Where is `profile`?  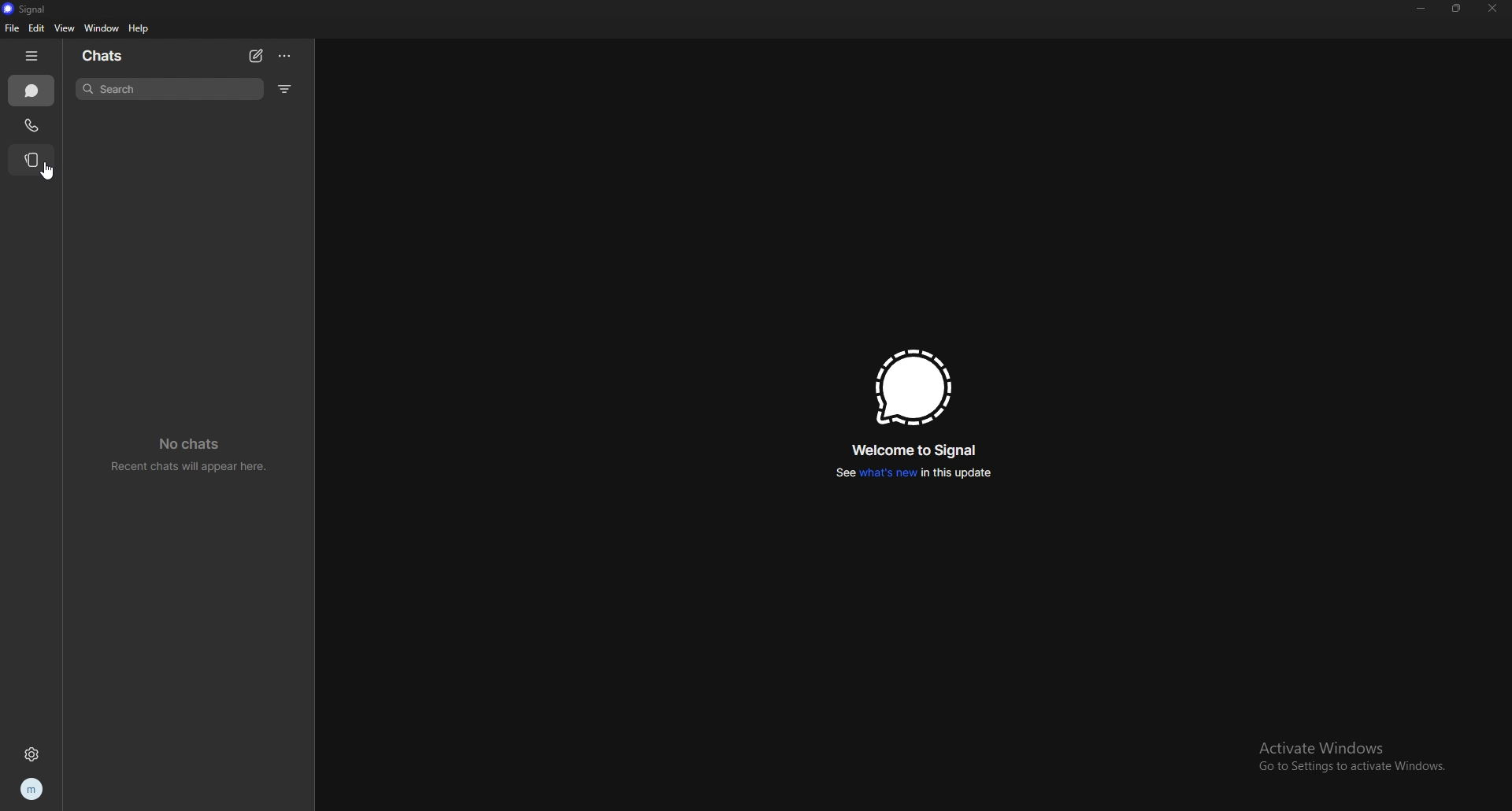 profile is located at coordinates (33, 788).